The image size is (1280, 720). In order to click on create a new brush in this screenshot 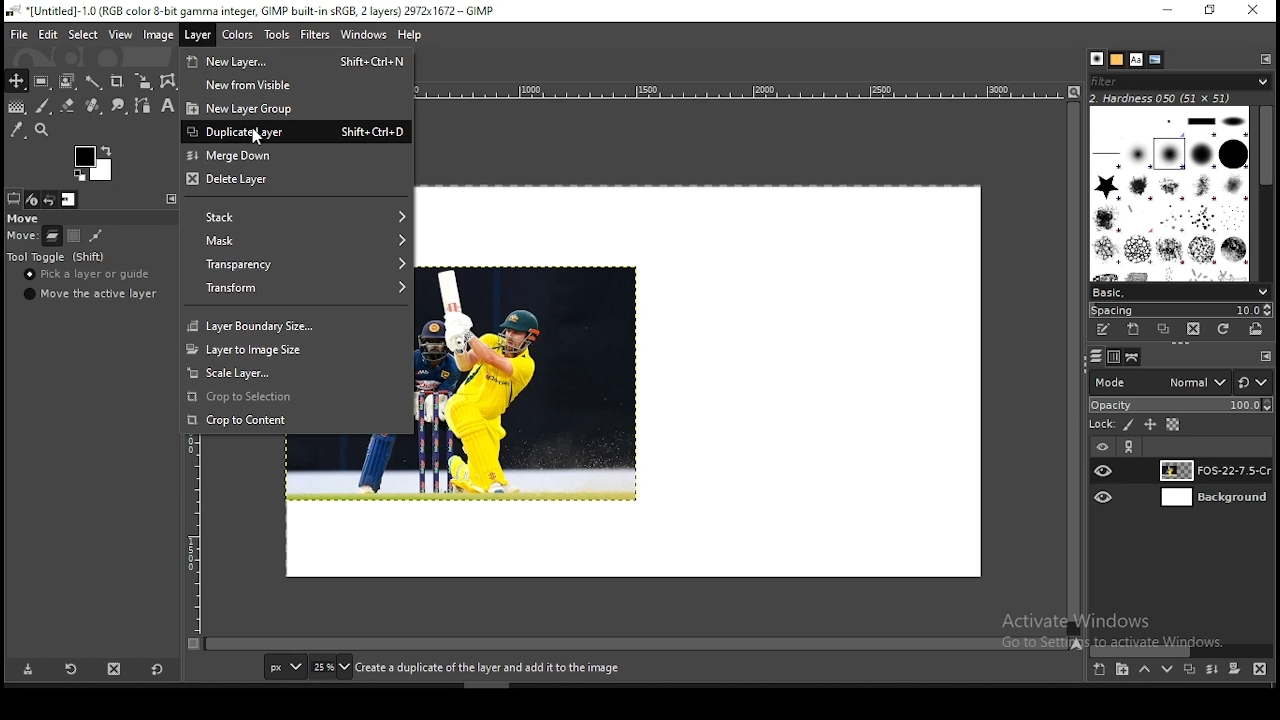, I will do `click(1133, 329)`.